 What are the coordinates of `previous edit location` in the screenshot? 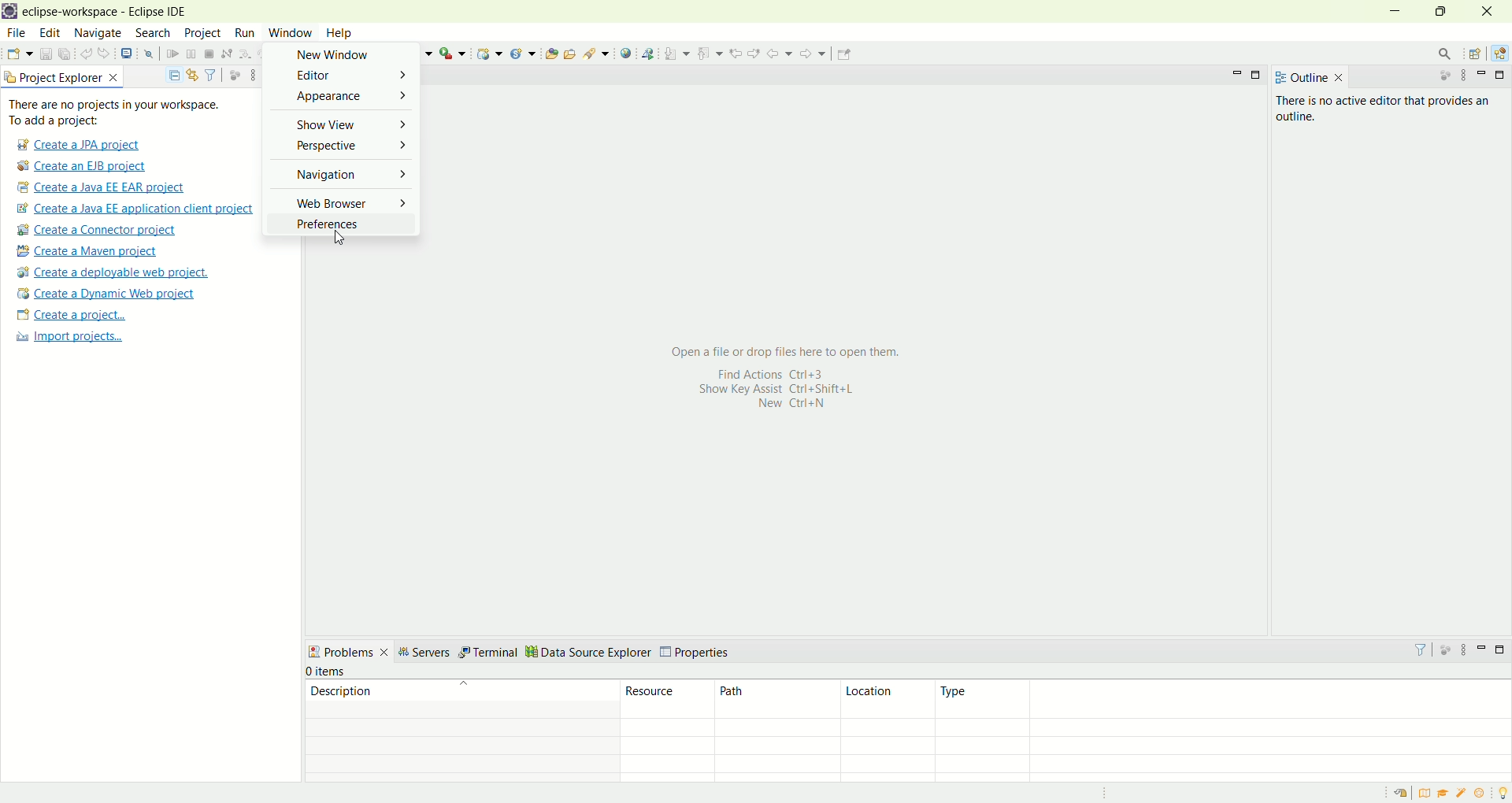 It's located at (739, 54).